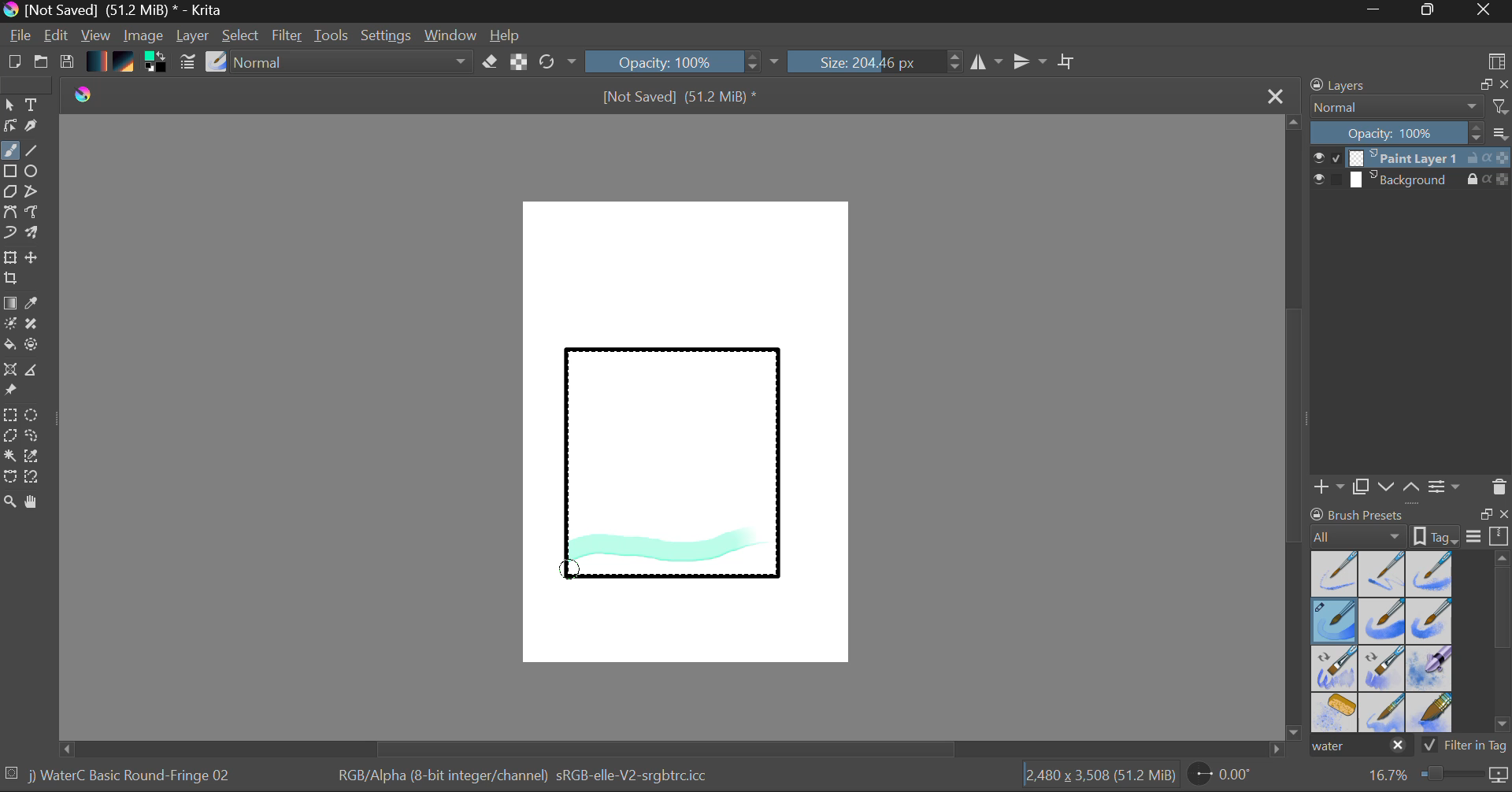  I want to click on View, so click(96, 35).